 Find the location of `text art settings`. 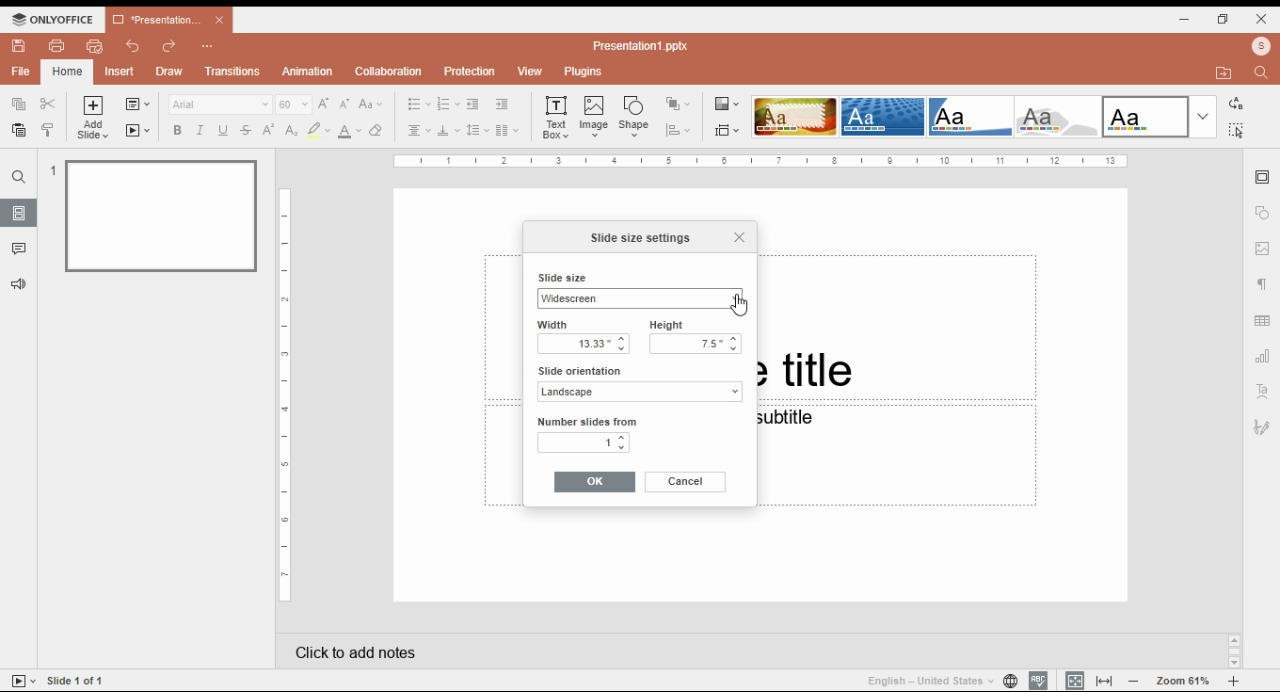

text art settings is located at coordinates (1263, 390).